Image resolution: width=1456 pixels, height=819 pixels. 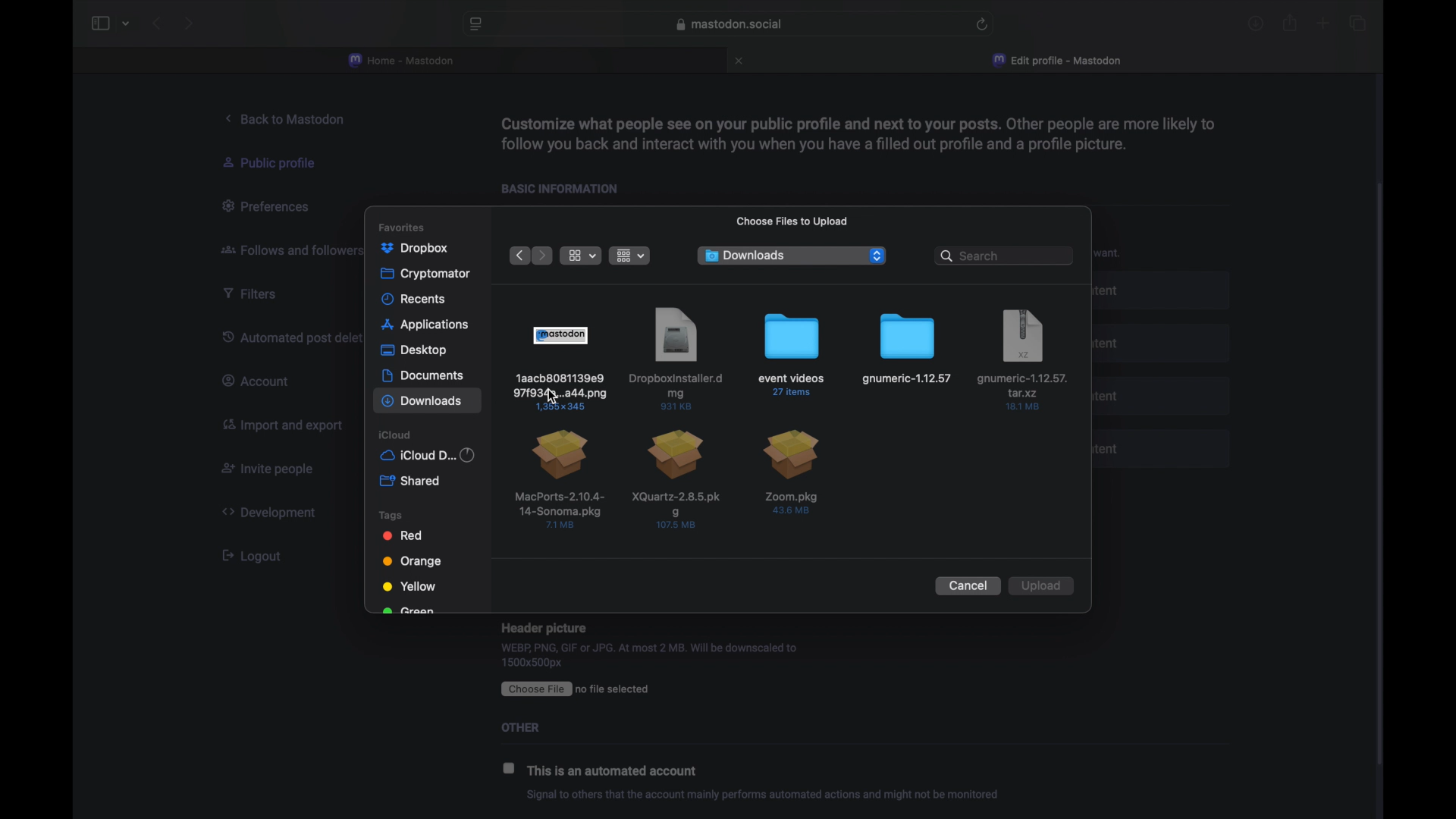 What do you see at coordinates (1059, 61) in the screenshot?
I see `edit profile - mastodon` at bounding box center [1059, 61].